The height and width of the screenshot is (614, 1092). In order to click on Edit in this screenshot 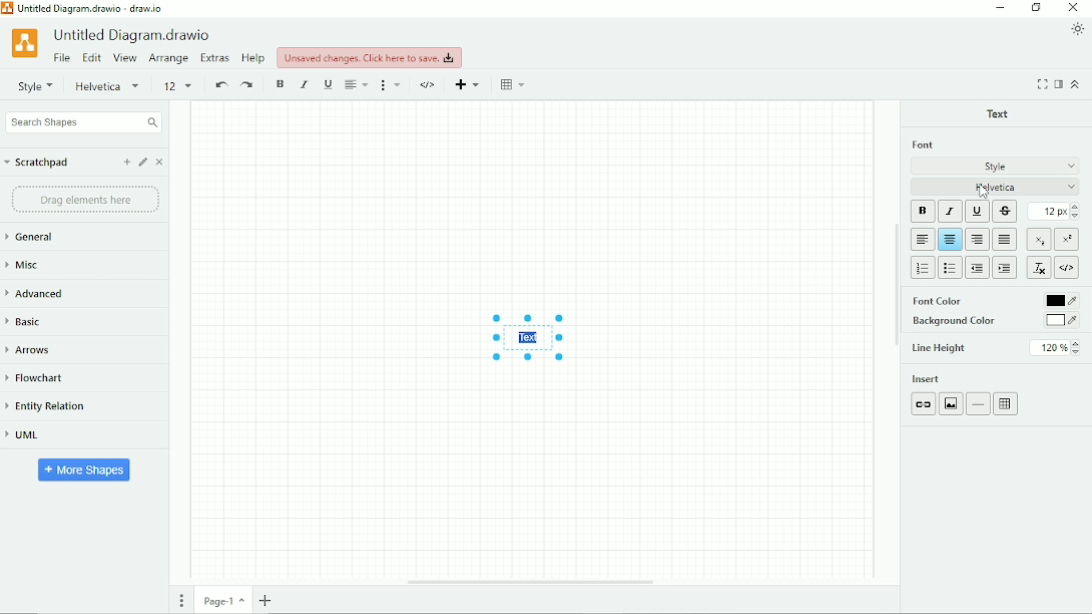, I will do `click(92, 58)`.